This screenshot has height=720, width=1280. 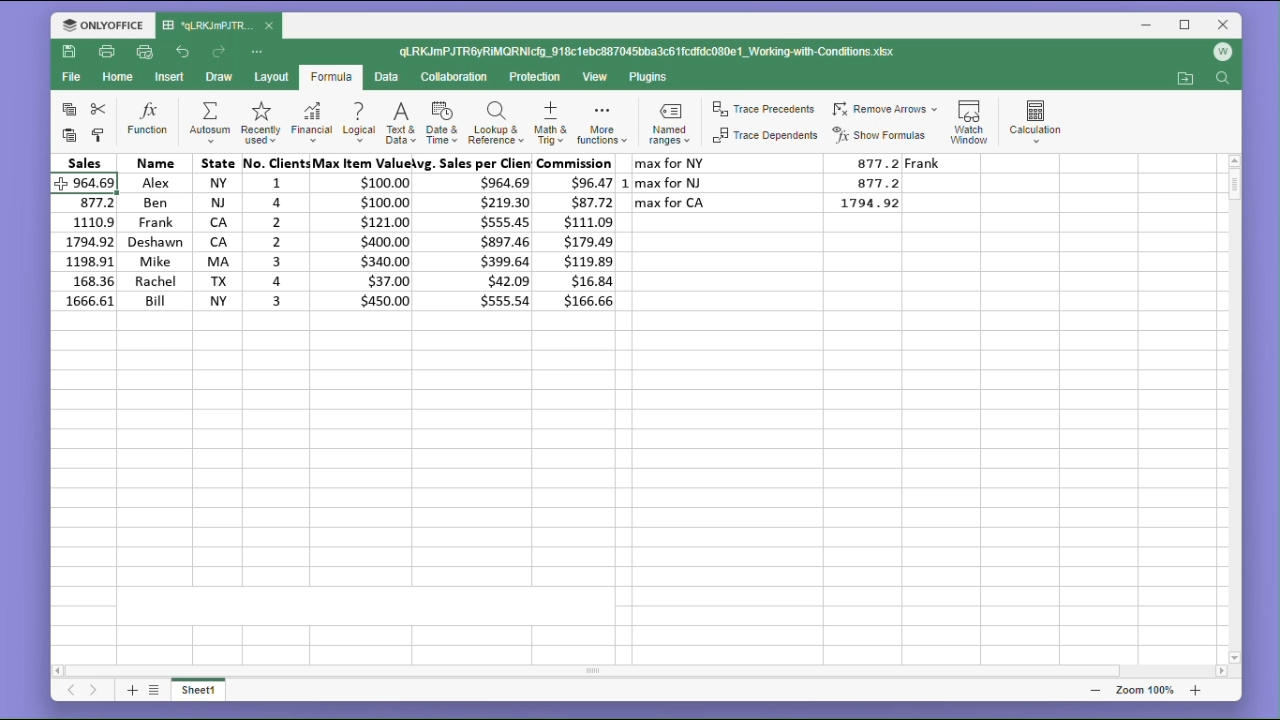 What do you see at coordinates (71, 80) in the screenshot?
I see `file` at bounding box center [71, 80].